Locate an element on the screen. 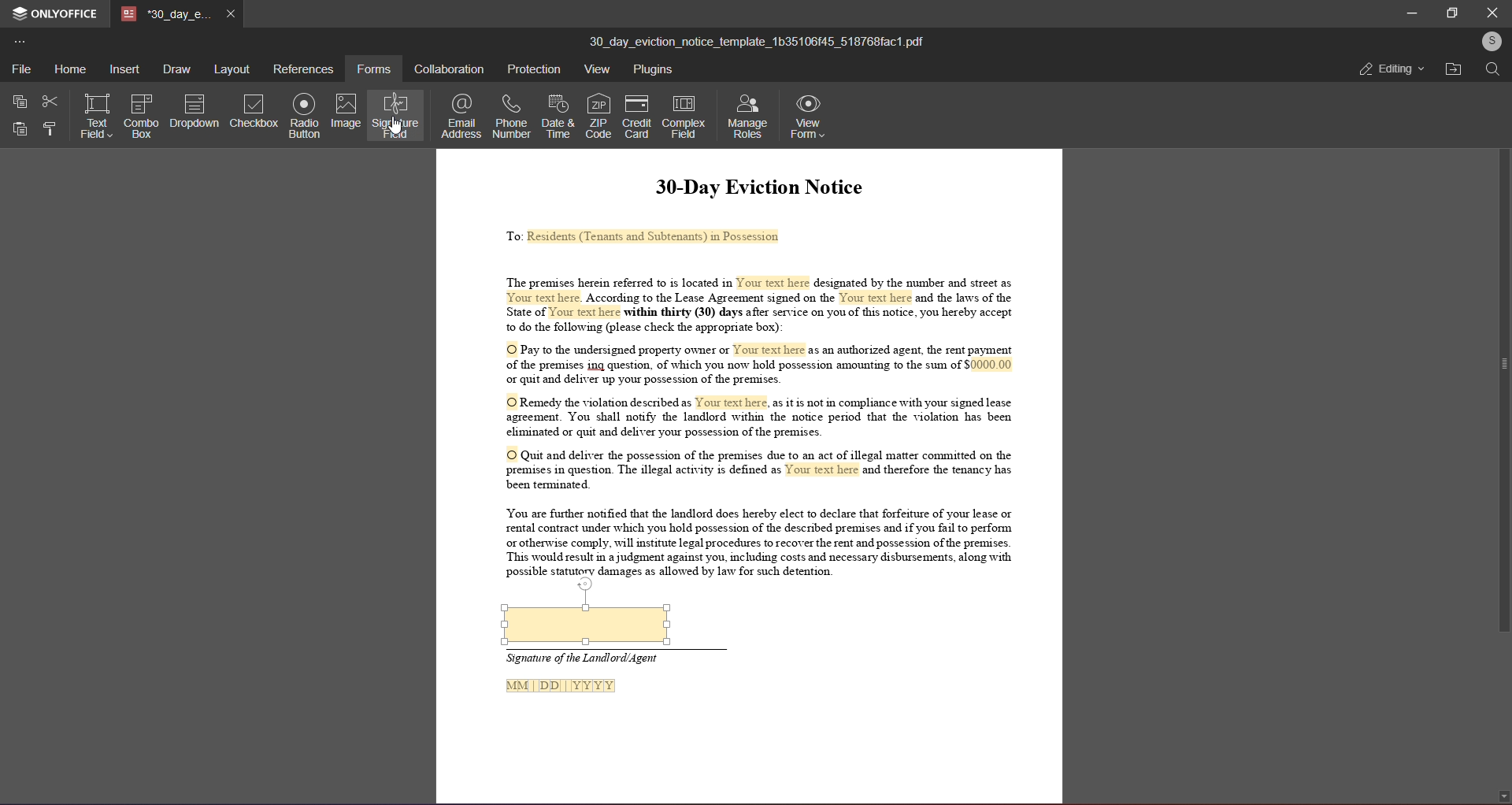  plugins is located at coordinates (655, 69).